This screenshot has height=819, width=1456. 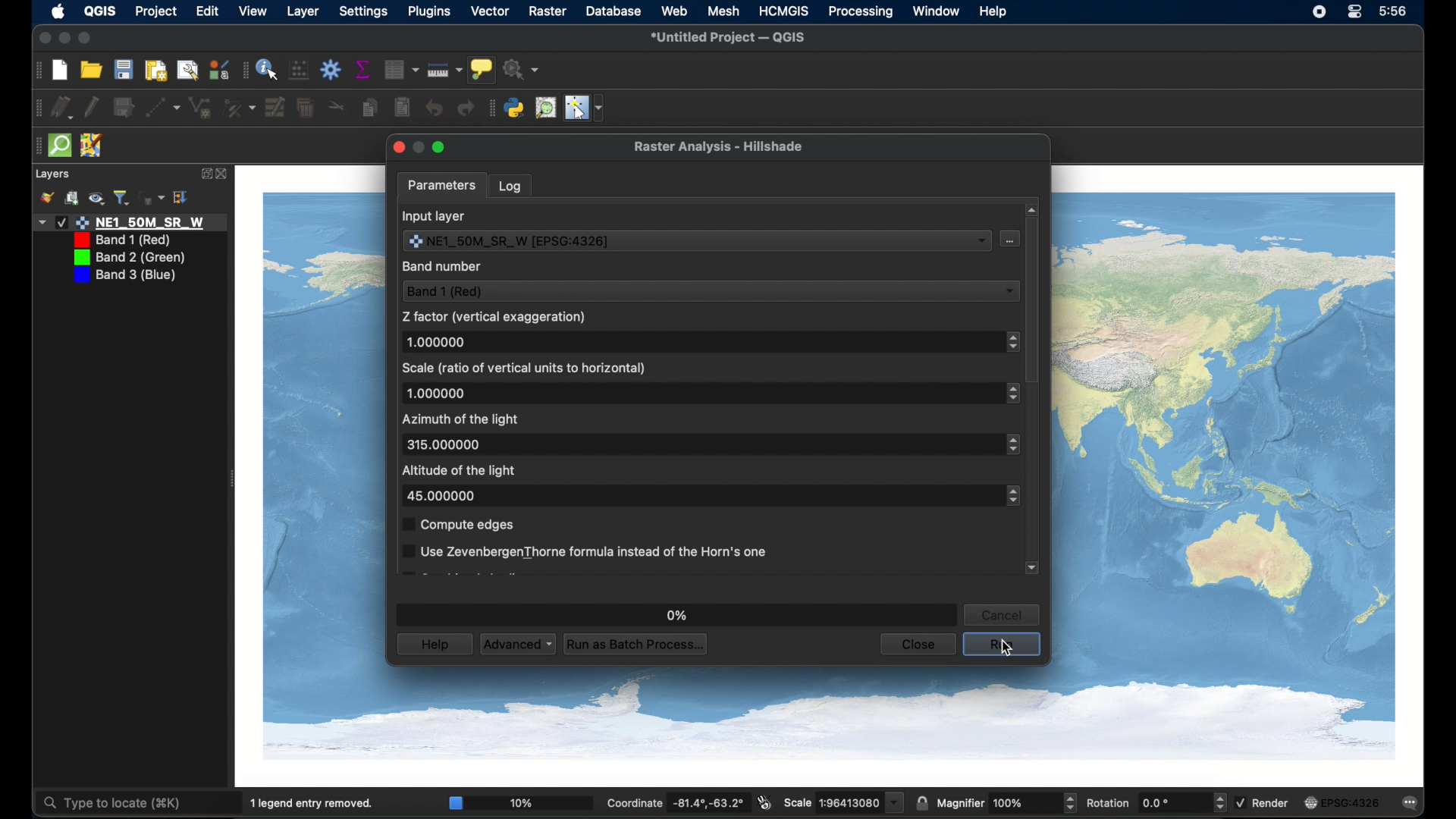 I want to click on 1 legend entry removed, so click(x=314, y=802).